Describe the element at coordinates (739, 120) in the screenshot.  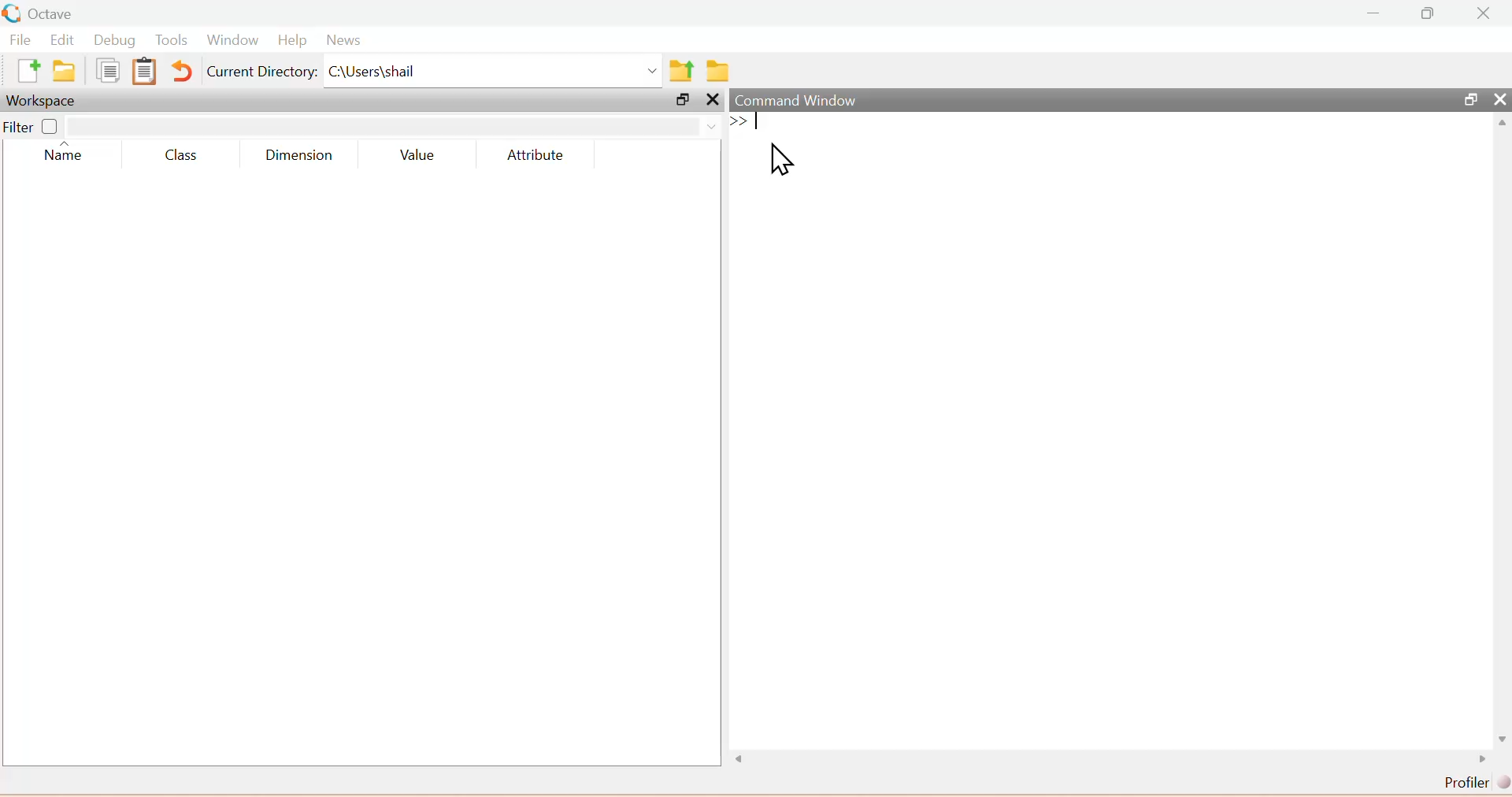
I see `new line` at that location.